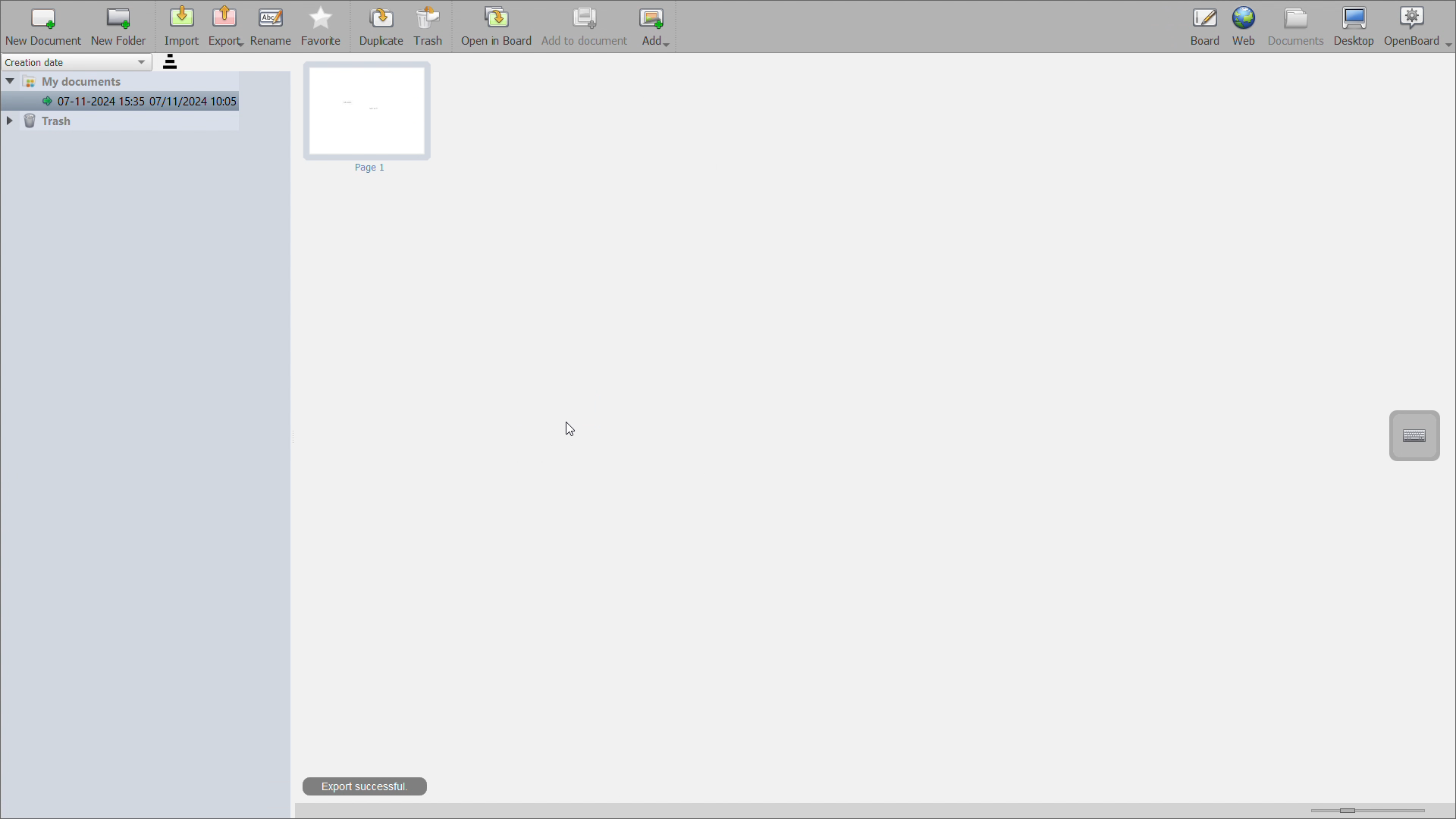 The image size is (1456, 819). Describe the element at coordinates (366, 786) in the screenshot. I see `export successful` at that location.